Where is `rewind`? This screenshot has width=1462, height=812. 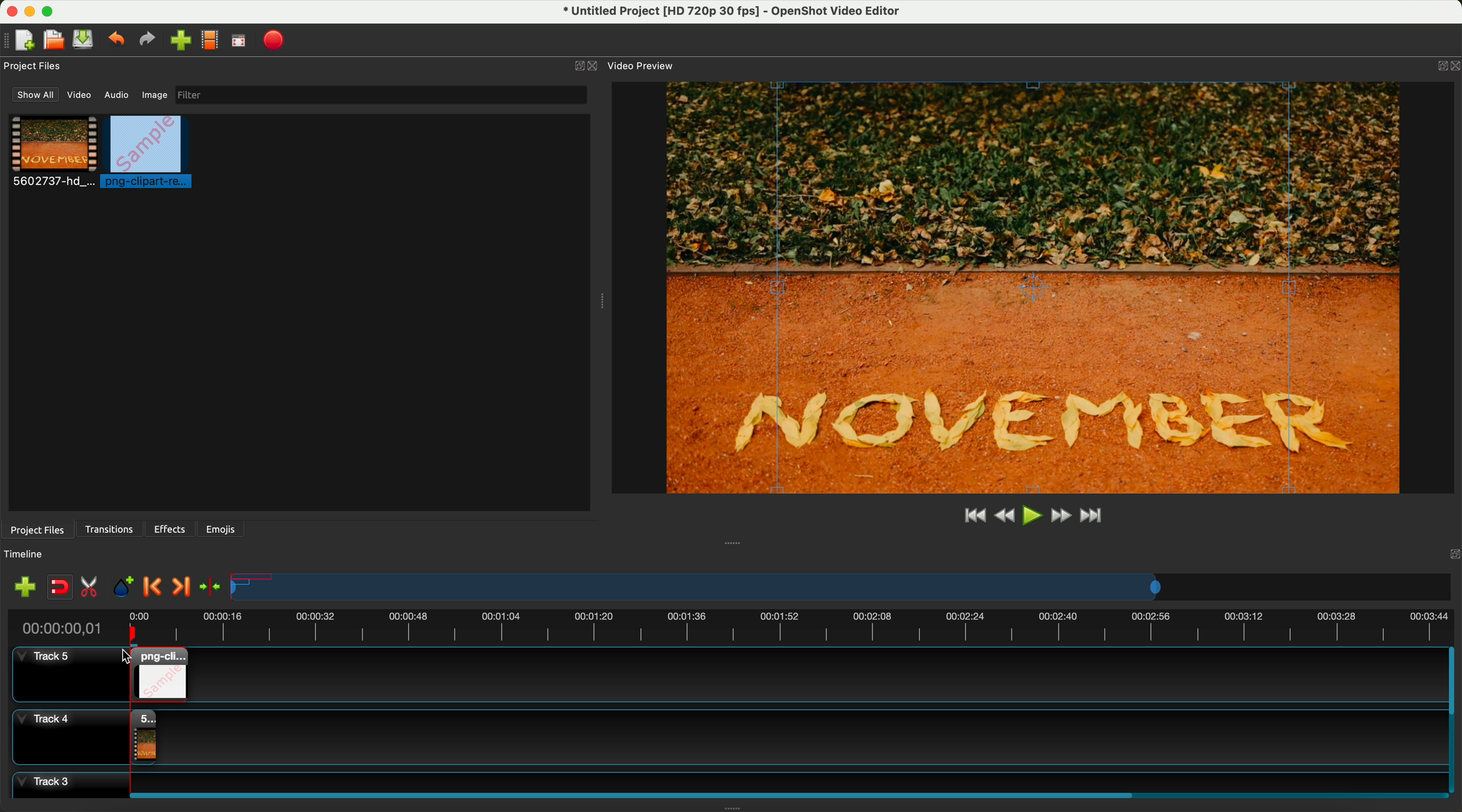 rewind is located at coordinates (1003, 517).